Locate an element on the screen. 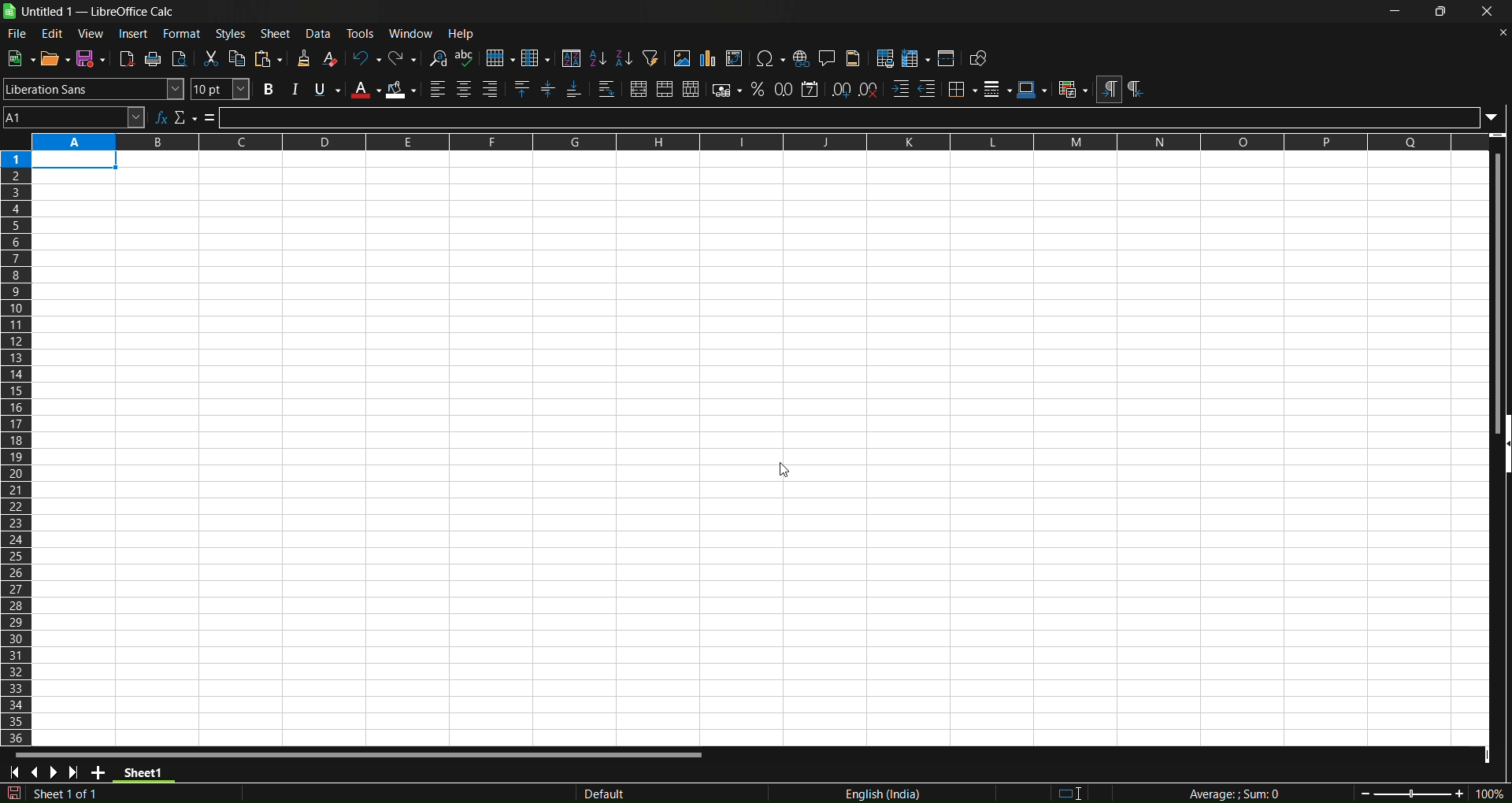  add decimal place is located at coordinates (843, 88).